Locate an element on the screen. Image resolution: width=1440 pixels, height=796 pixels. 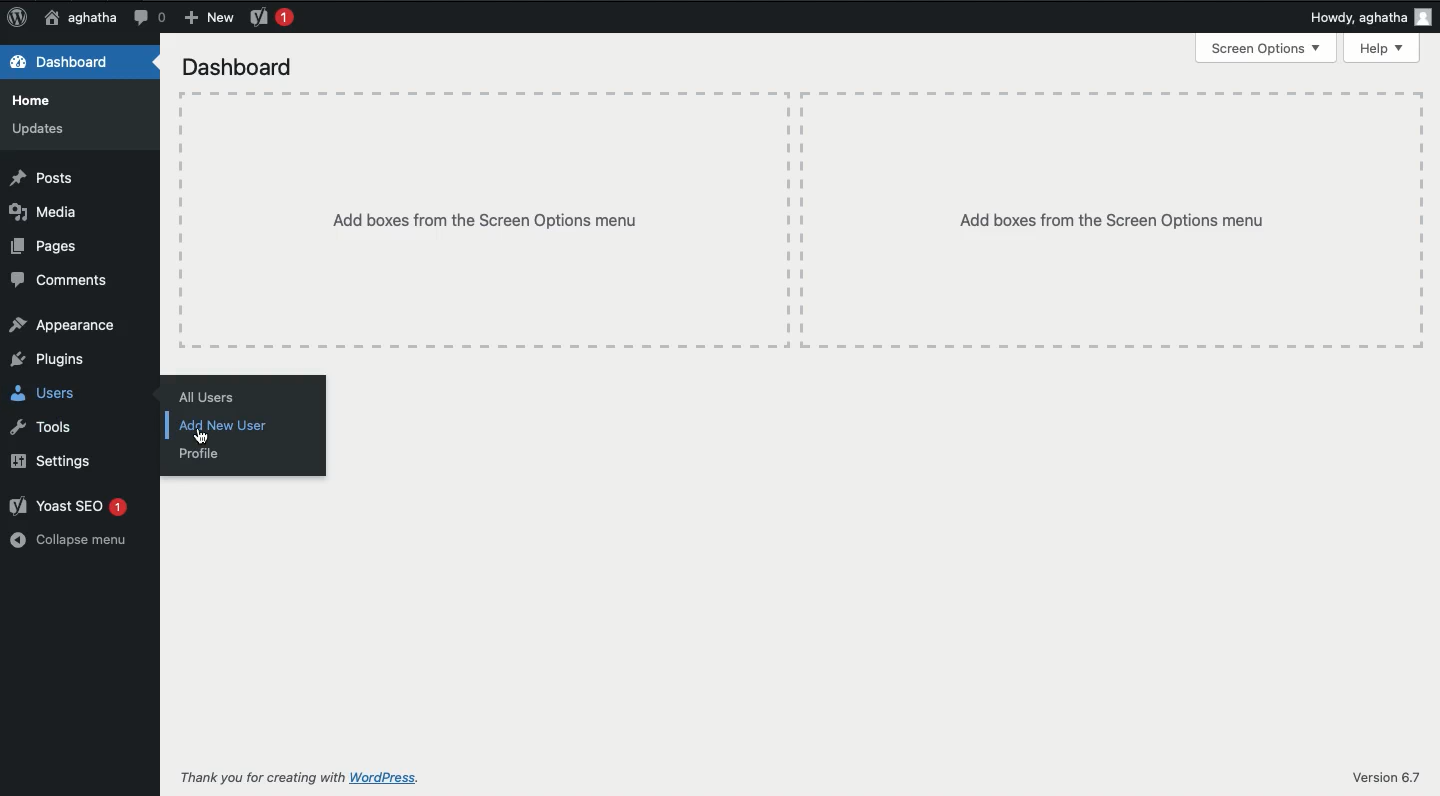
All users is located at coordinates (210, 396).